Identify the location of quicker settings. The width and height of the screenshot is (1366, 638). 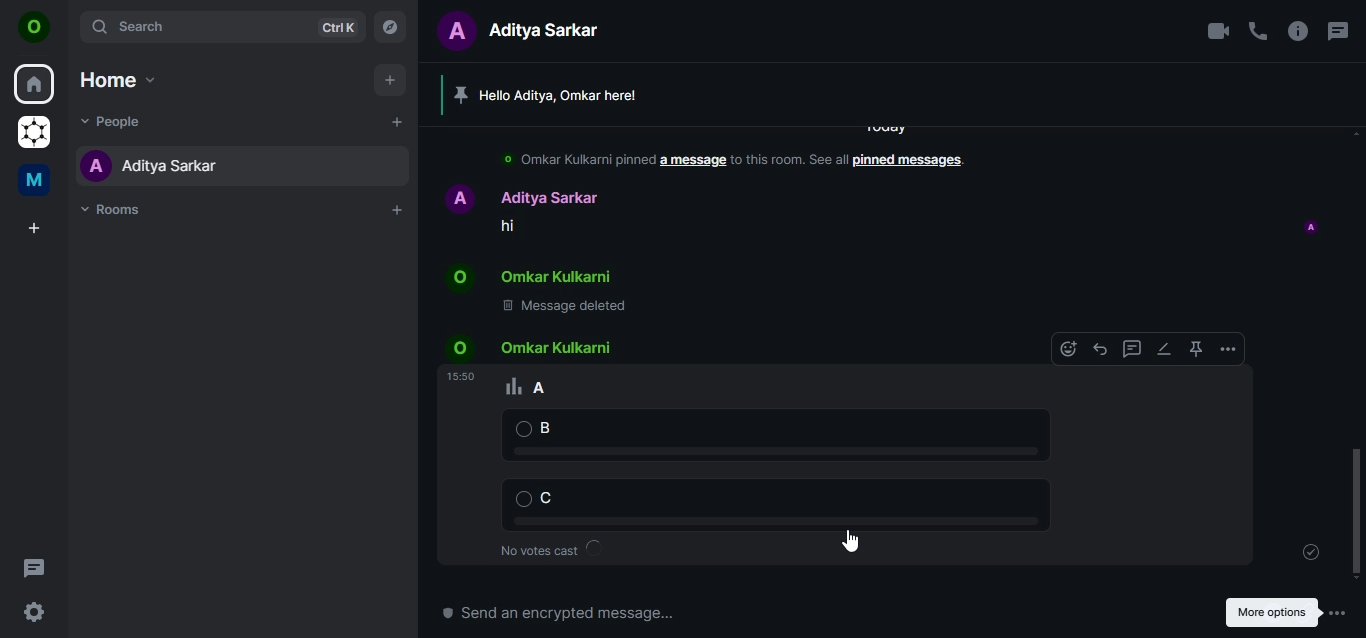
(37, 613).